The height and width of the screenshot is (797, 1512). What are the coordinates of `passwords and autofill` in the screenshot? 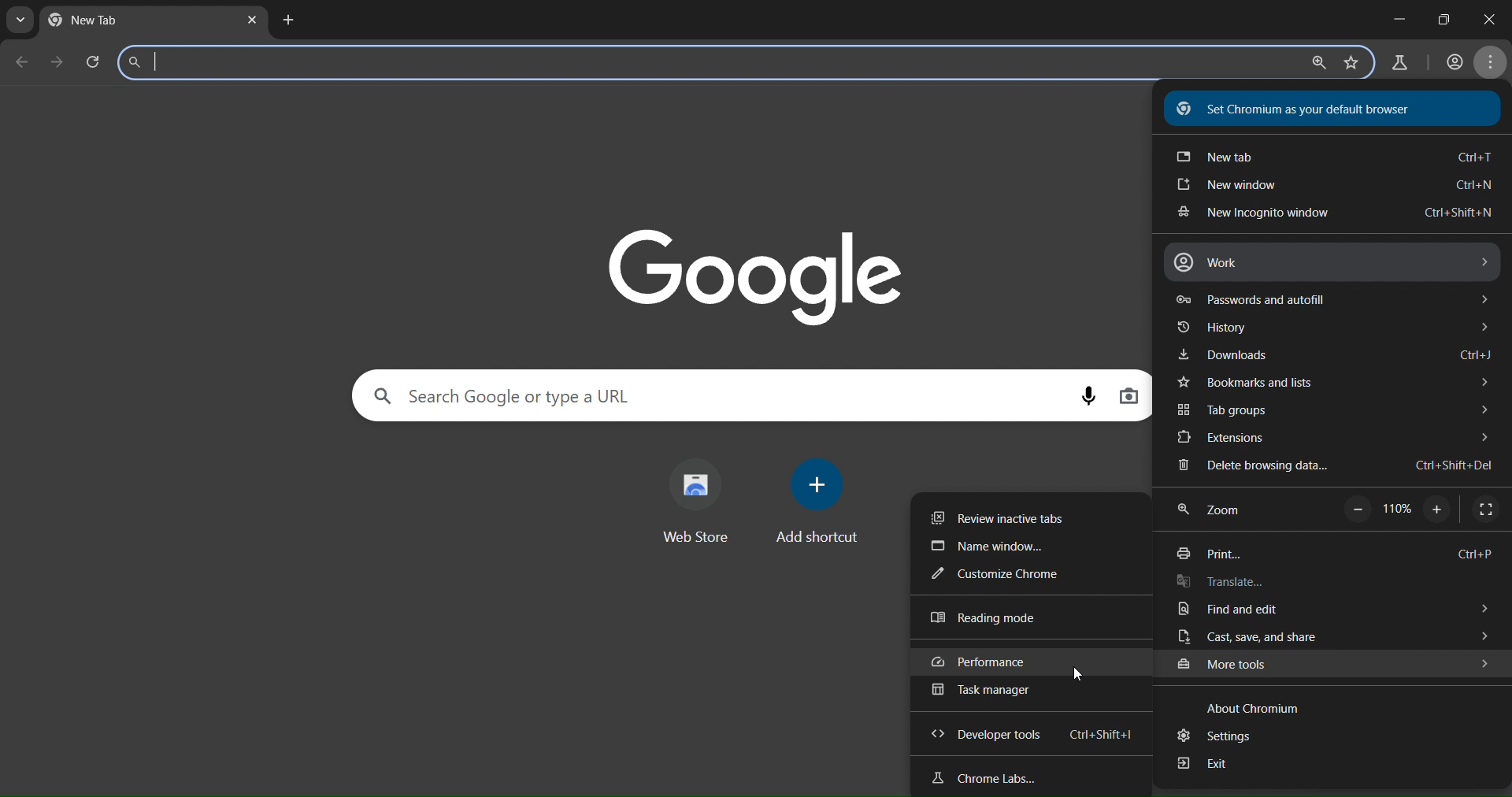 It's located at (1331, 299).